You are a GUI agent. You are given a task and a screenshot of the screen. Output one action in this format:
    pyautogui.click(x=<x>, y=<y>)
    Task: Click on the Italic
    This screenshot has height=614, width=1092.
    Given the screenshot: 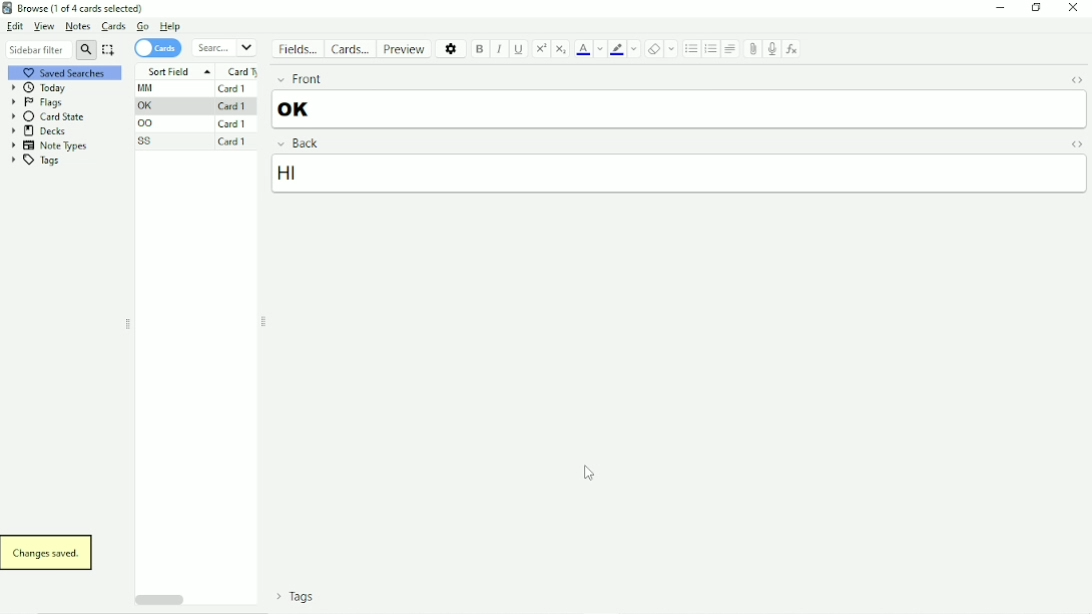 What is the action you would take?
    pyautogui.click(x=500, y=49)
    